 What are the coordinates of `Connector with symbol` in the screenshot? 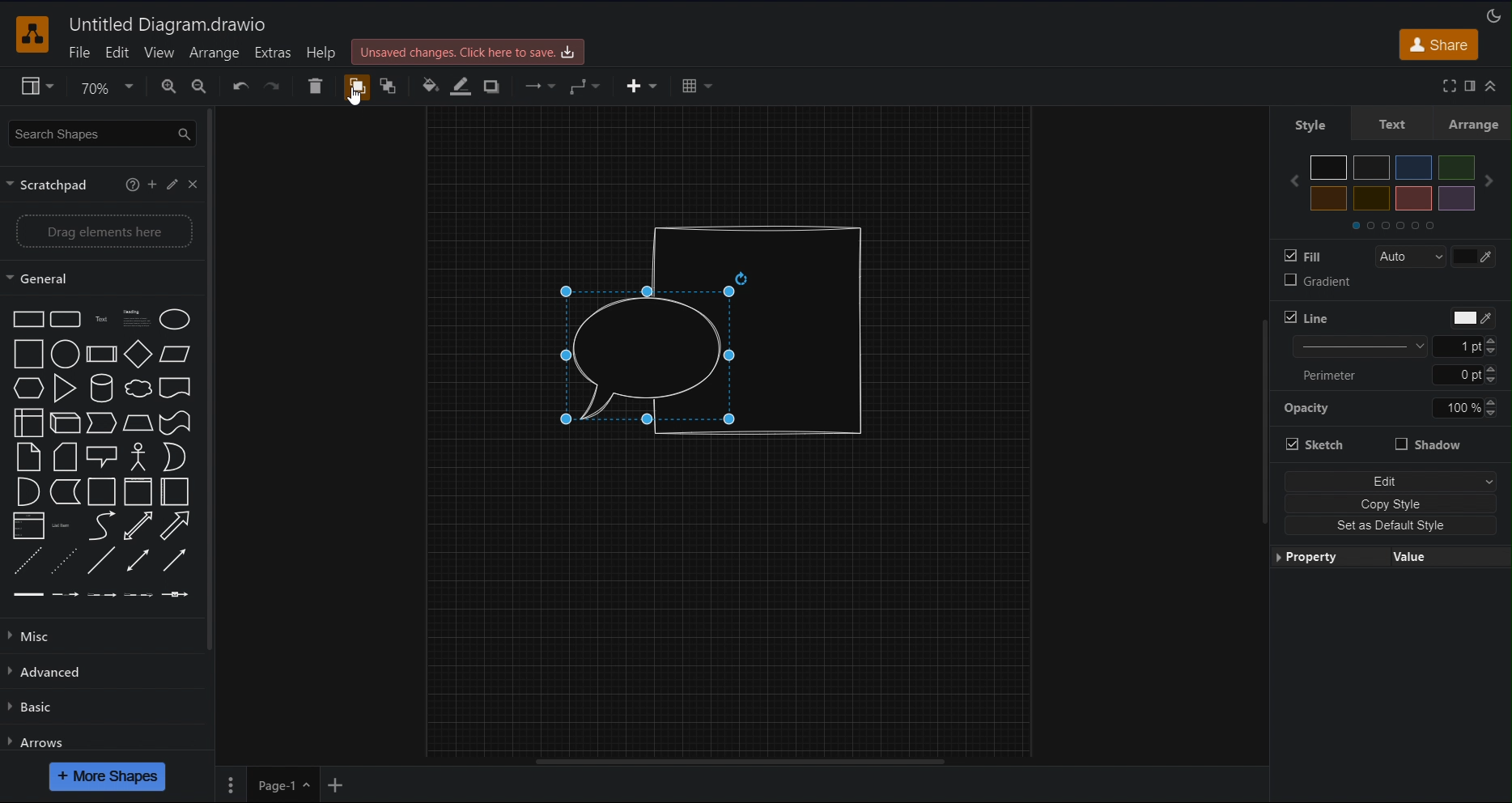 It's located at (176, 594).